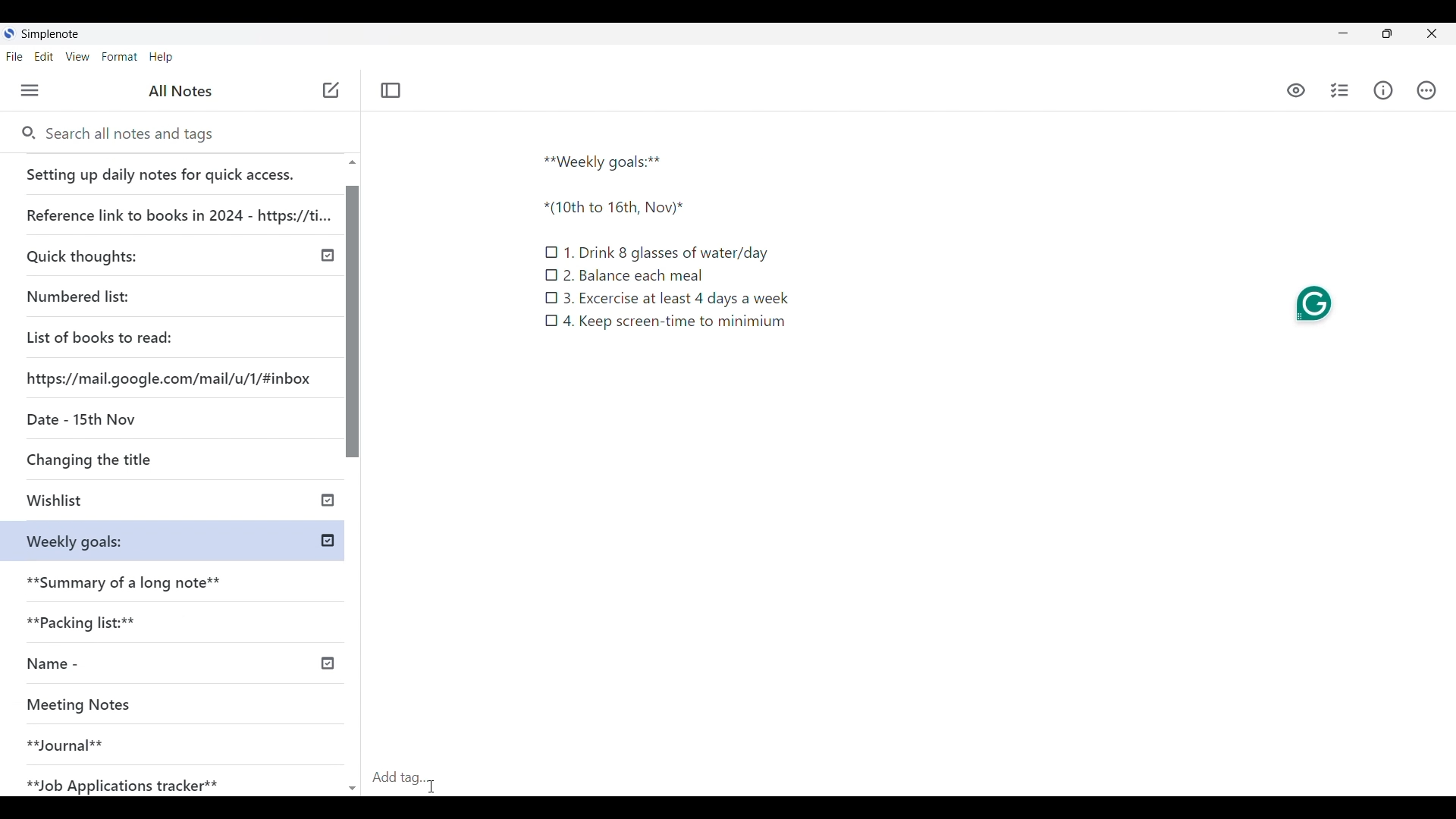  Describe the element at coordinates (101, 335) in the screenshot. I see `List of books` at that location.